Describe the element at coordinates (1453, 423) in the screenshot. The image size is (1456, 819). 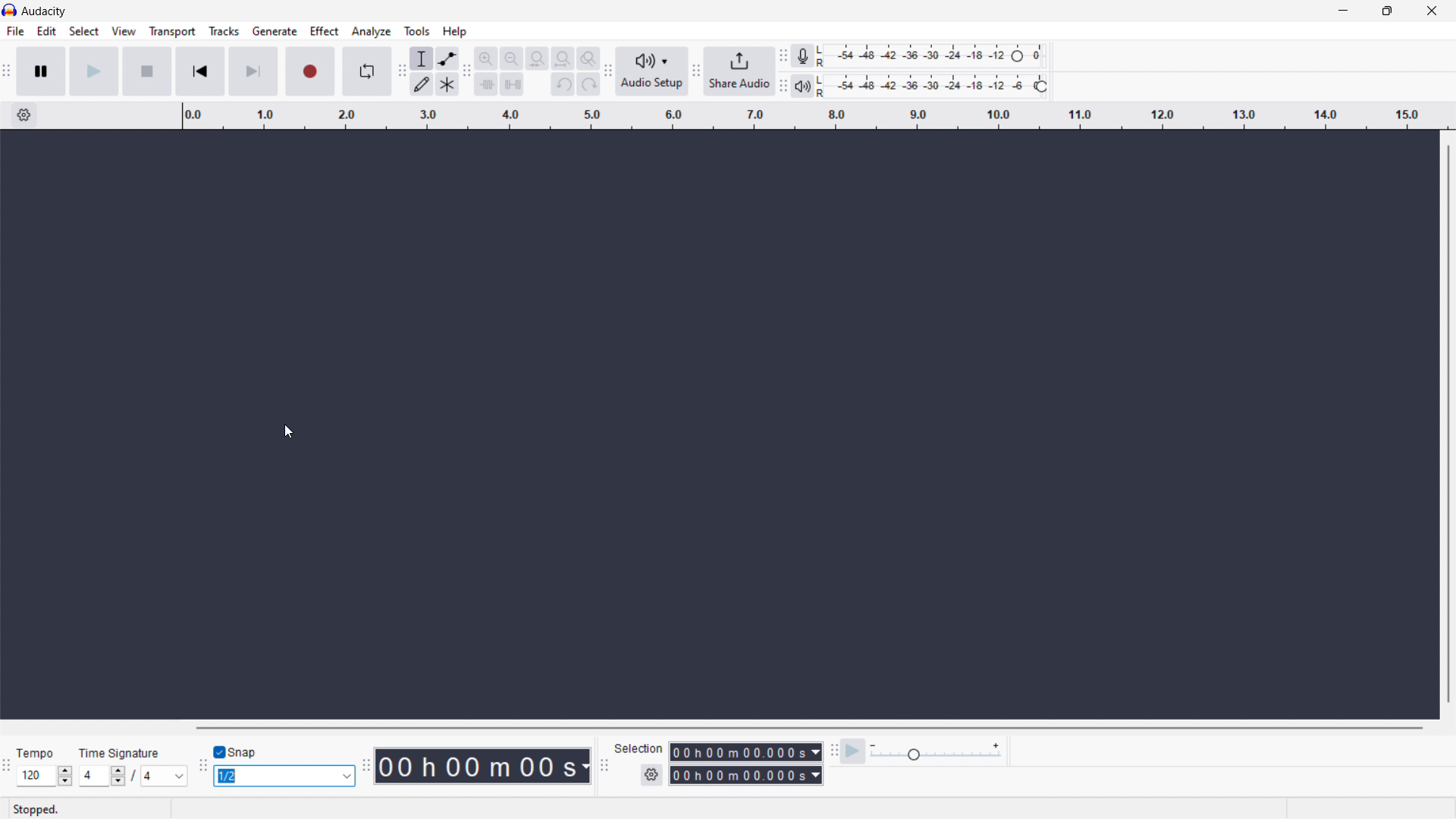
I see `vertical scrollbar` at that location.